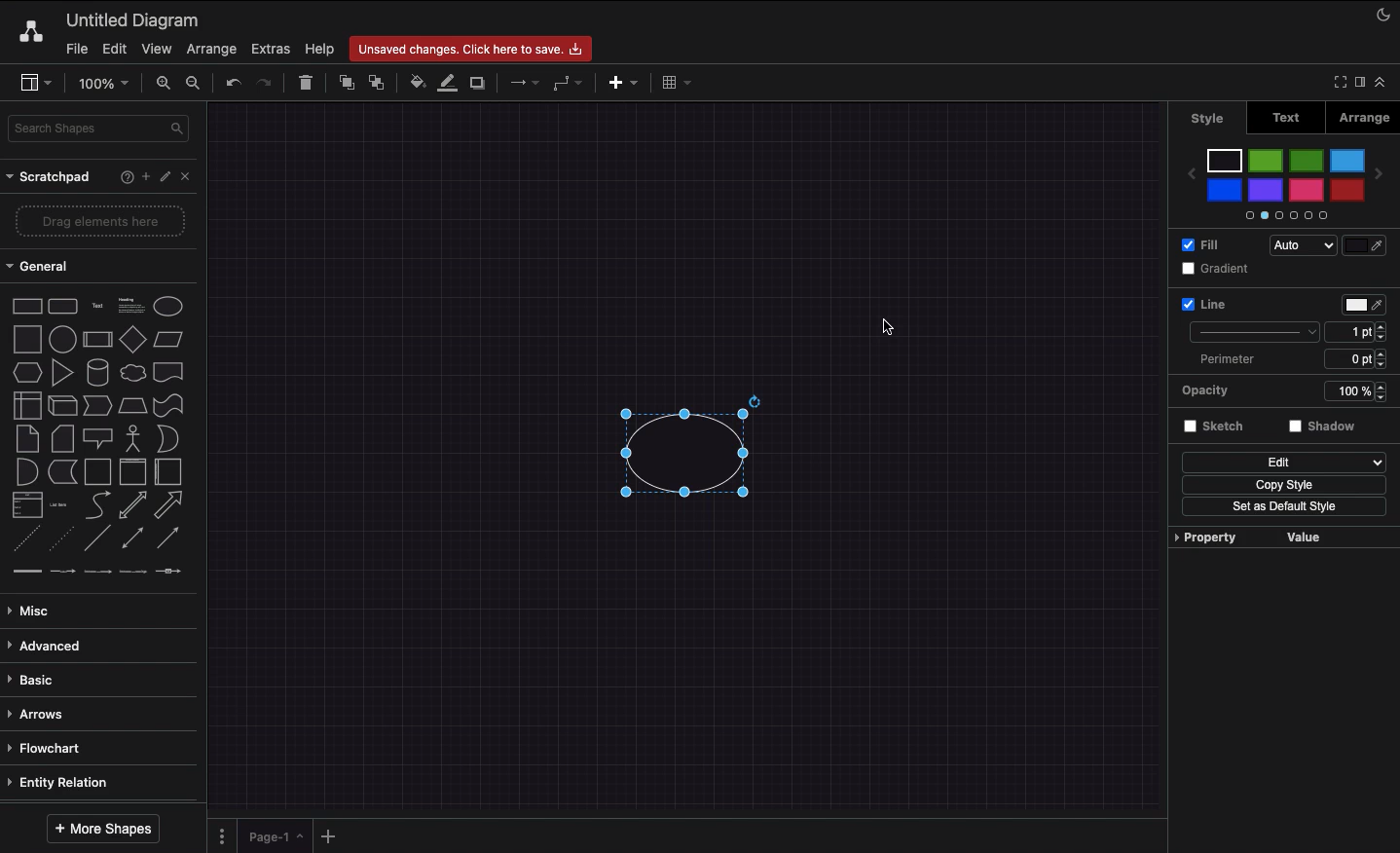 Image resolution: width=1400 pixels, height=853 pixels. I want to click on Horizontal container, so click(169, 471).